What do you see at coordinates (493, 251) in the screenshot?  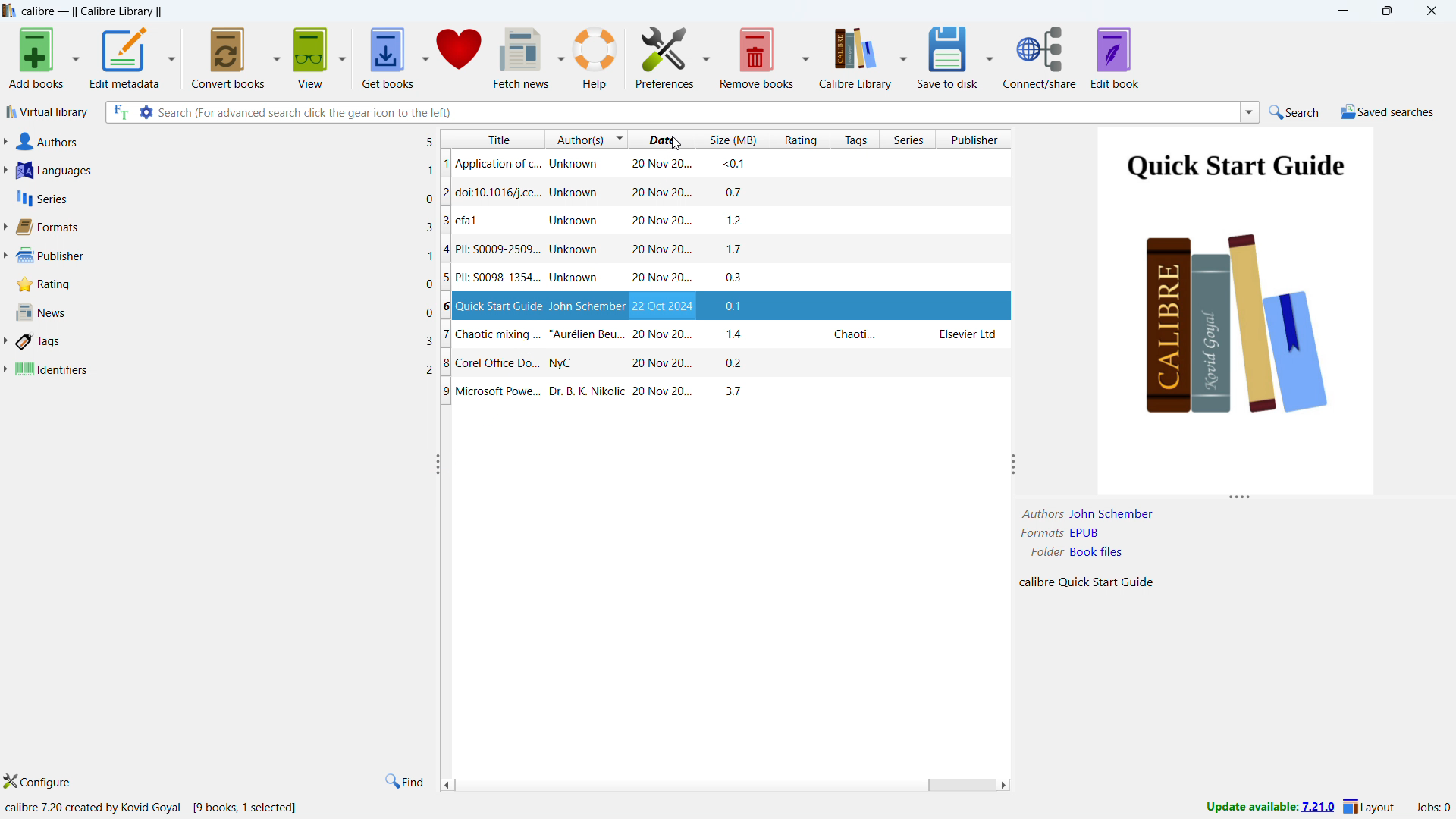 I see `P11: S0009-2509...` at bounding box center [493, 251].